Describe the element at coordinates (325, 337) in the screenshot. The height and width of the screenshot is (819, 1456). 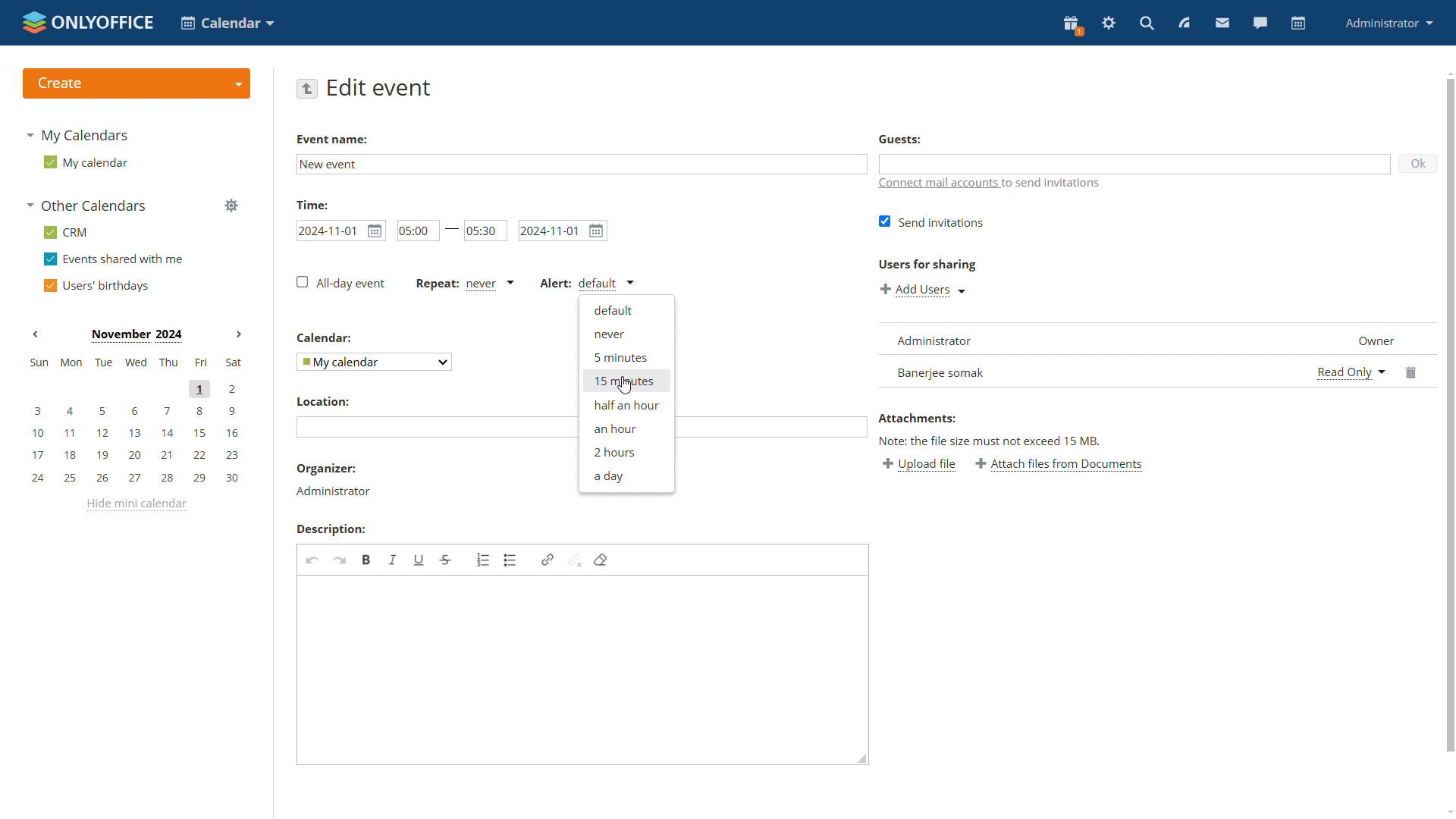
I see `` at that location.